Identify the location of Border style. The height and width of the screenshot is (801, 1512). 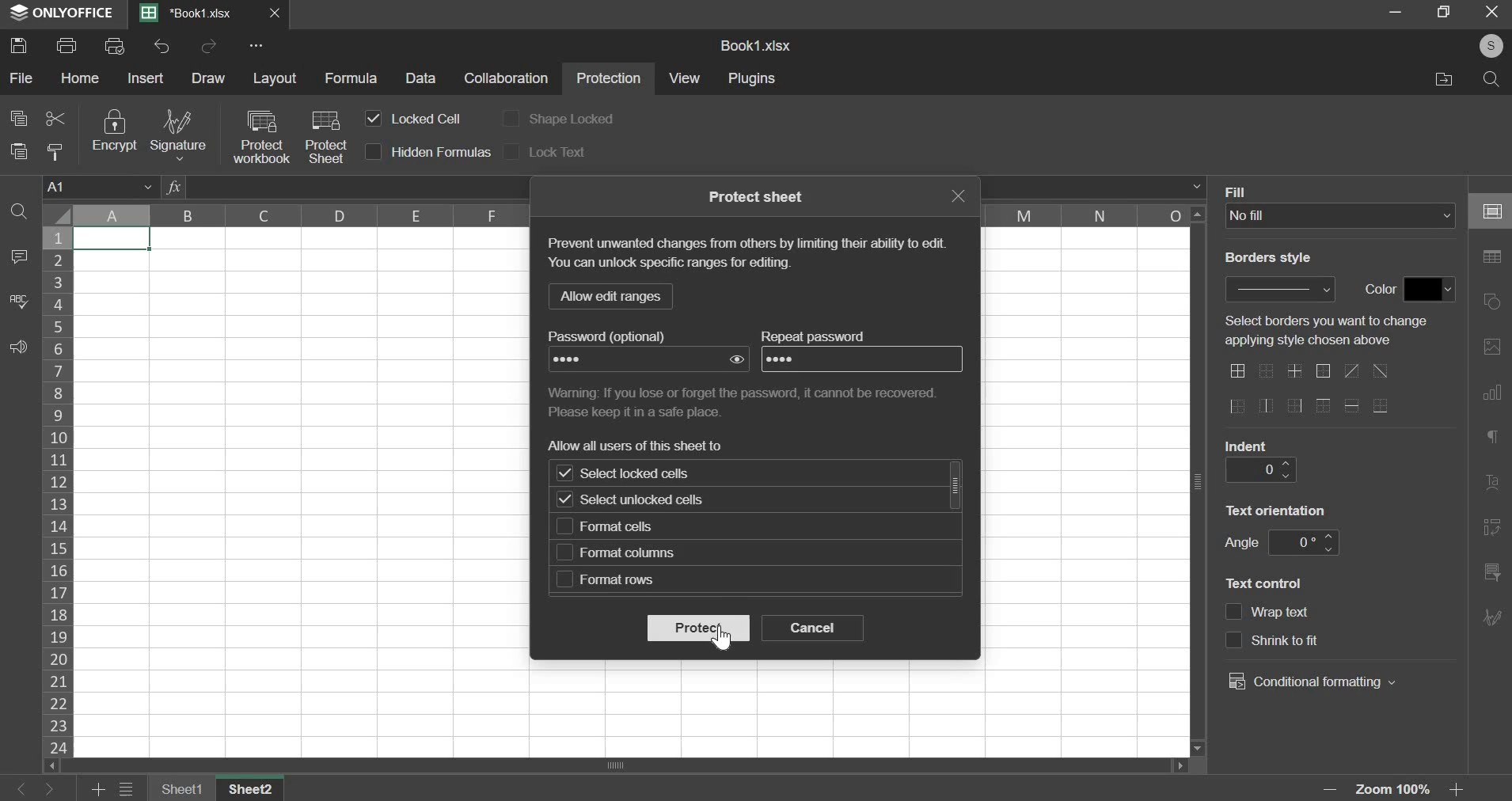
(1276, 261).